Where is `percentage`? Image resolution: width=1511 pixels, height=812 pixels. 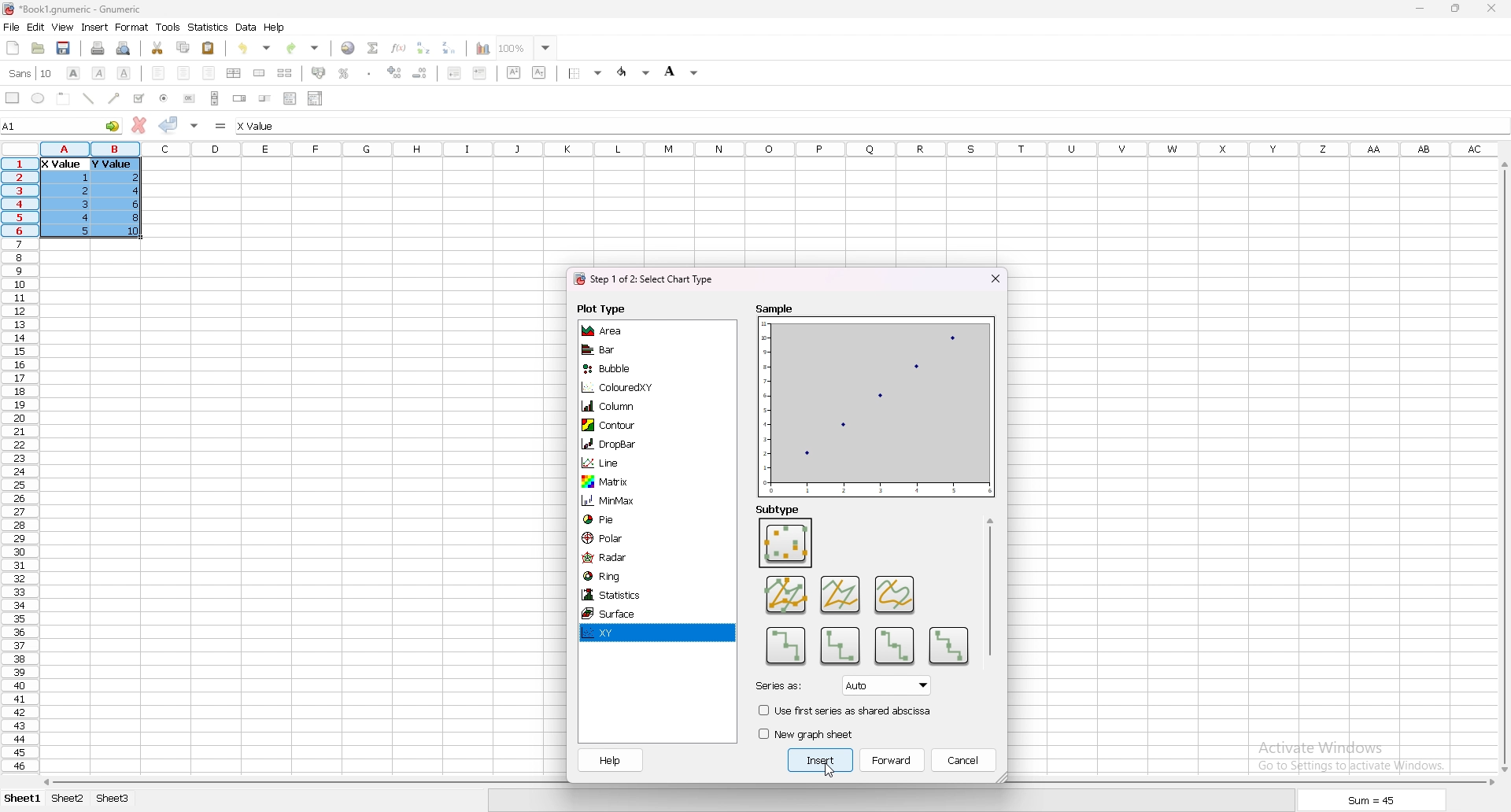
percentage is located at coordinates (344, 73).